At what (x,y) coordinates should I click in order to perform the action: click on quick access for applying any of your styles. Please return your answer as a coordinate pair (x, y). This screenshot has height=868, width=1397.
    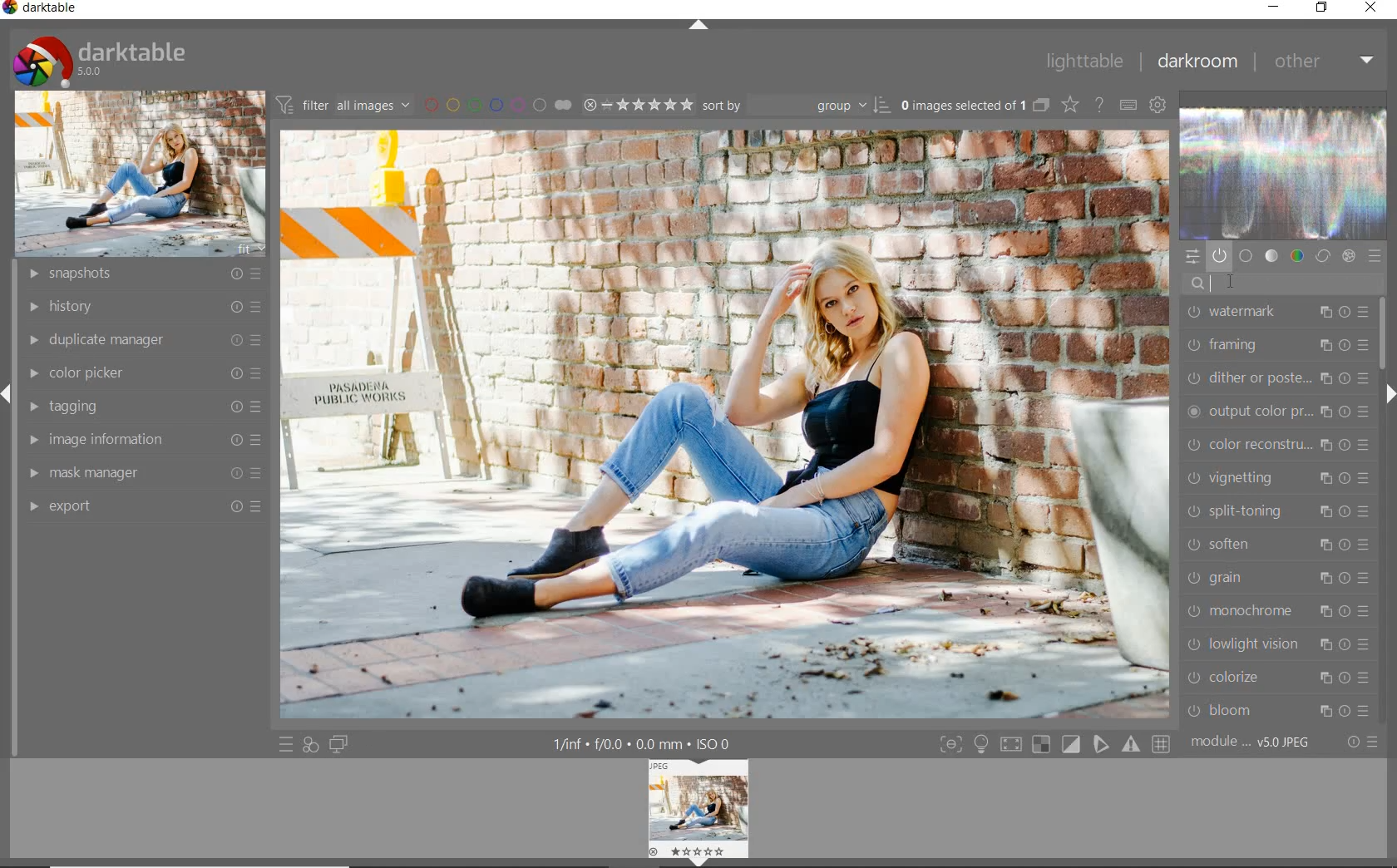
    Looking at the image, I should click on (311, 745).